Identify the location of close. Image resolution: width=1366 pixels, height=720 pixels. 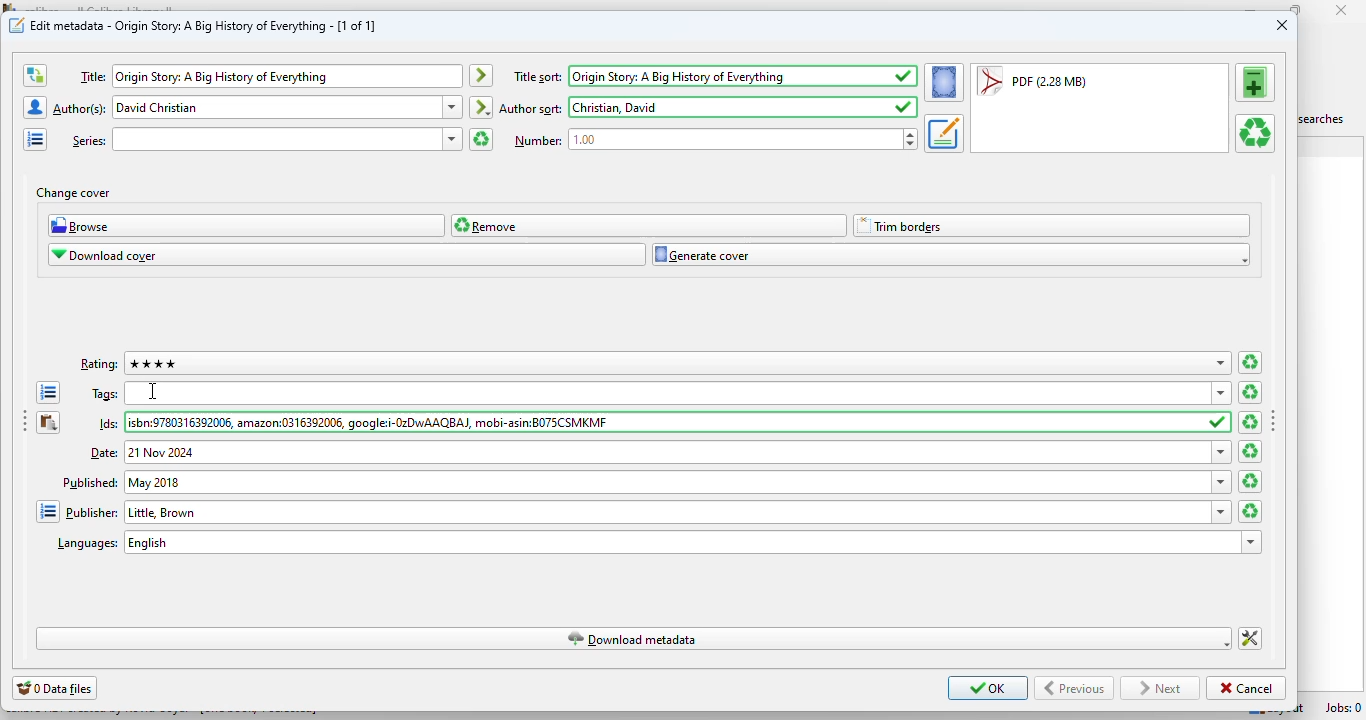
(1342, 10).